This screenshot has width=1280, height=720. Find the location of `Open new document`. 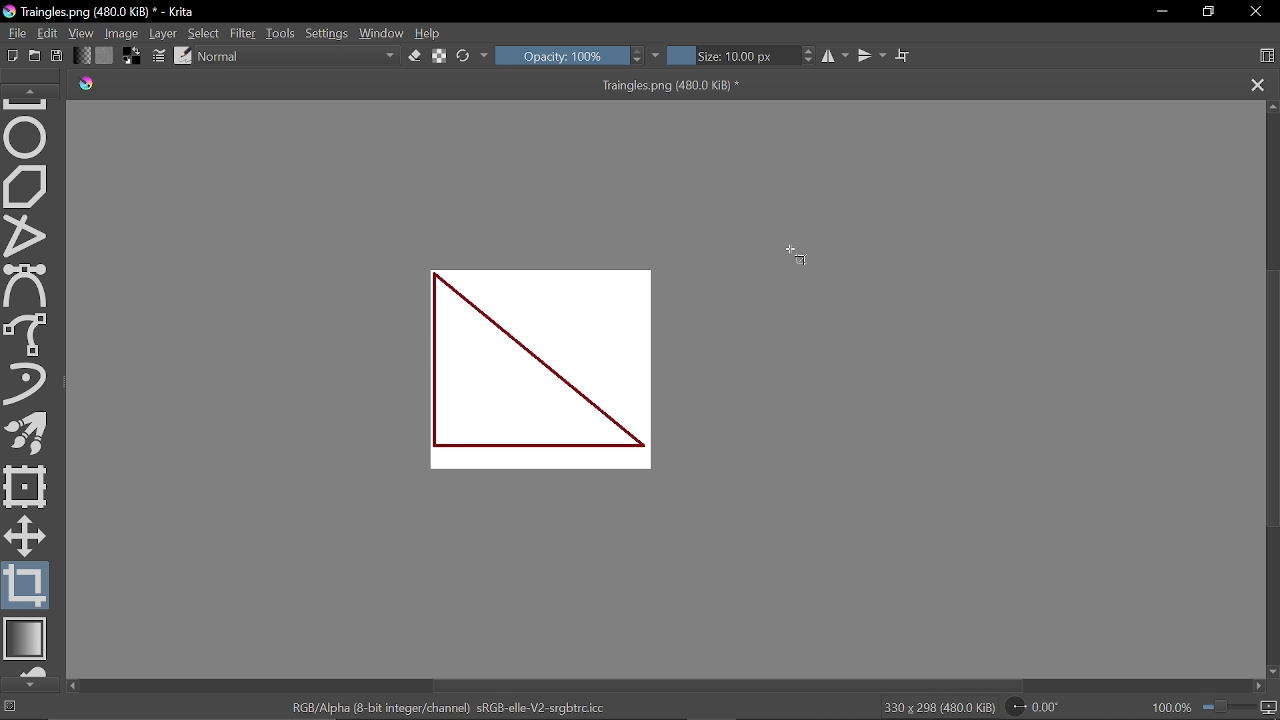

Open new document is located at coordinates (35, 56).